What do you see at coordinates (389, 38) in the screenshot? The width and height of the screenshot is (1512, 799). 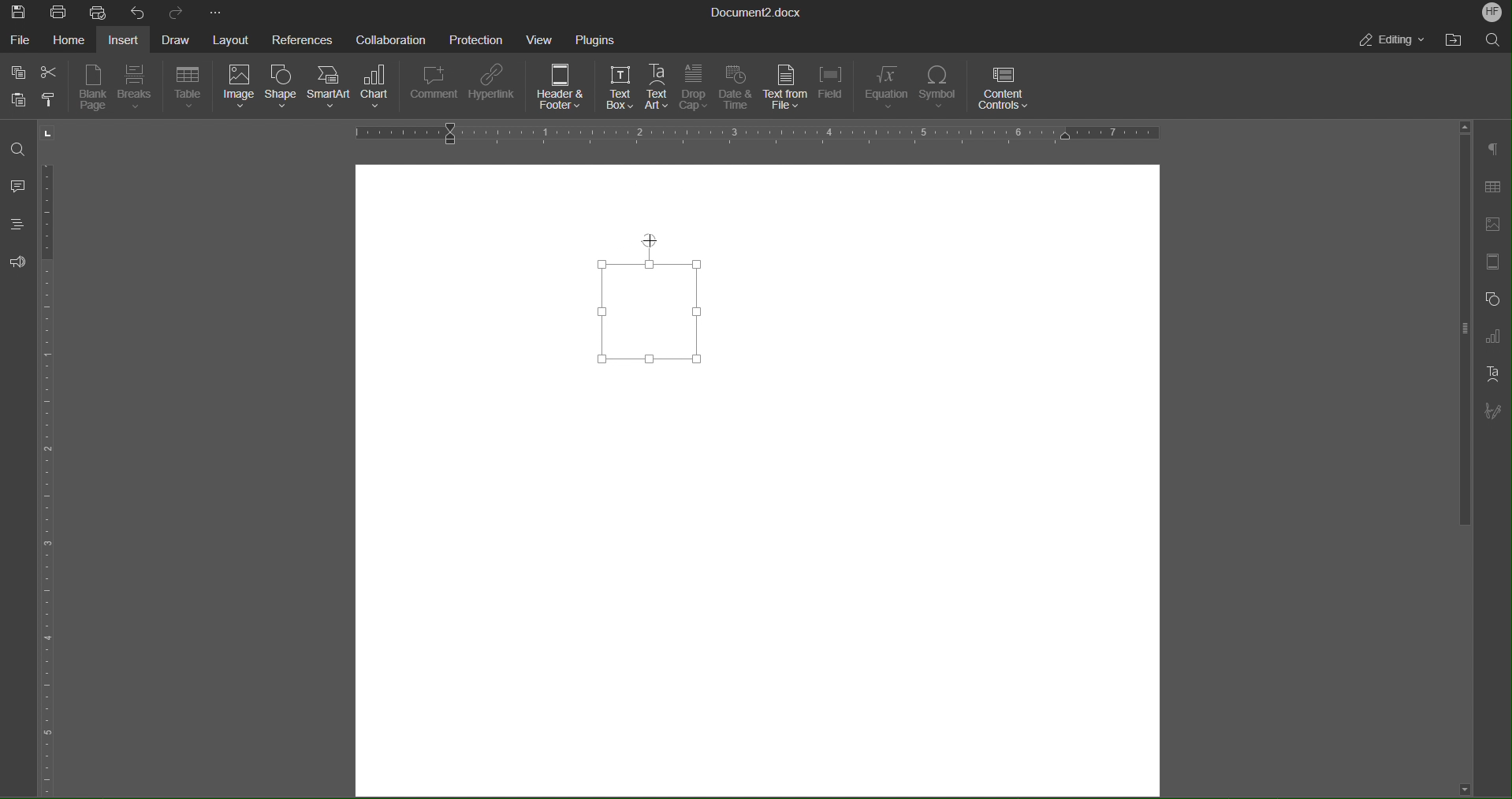 I see `Collaboration` at bounding box center [389, 38].